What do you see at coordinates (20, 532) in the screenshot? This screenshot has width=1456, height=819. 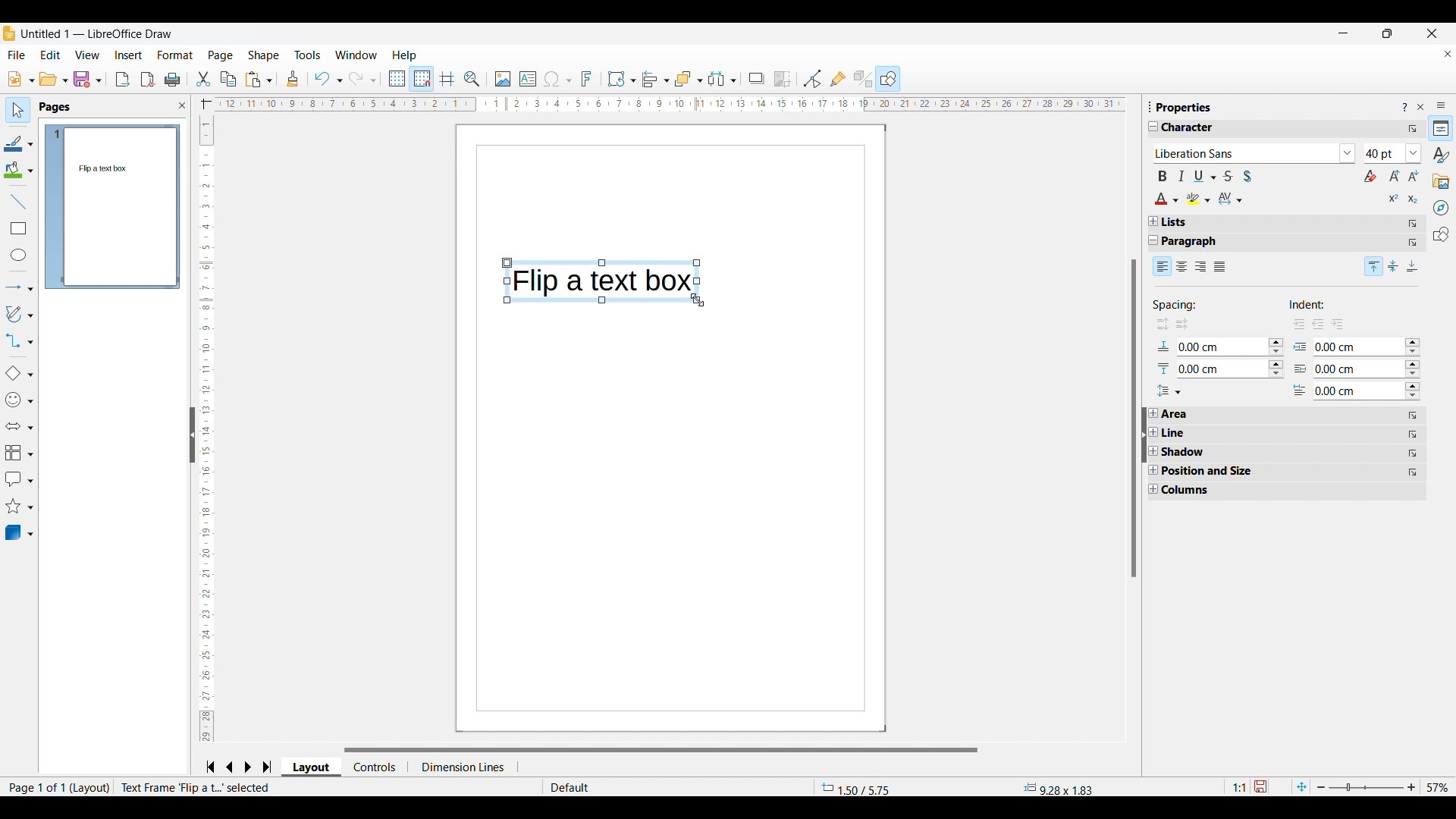 I see `3D object options ` at bounding box center [20, 532].